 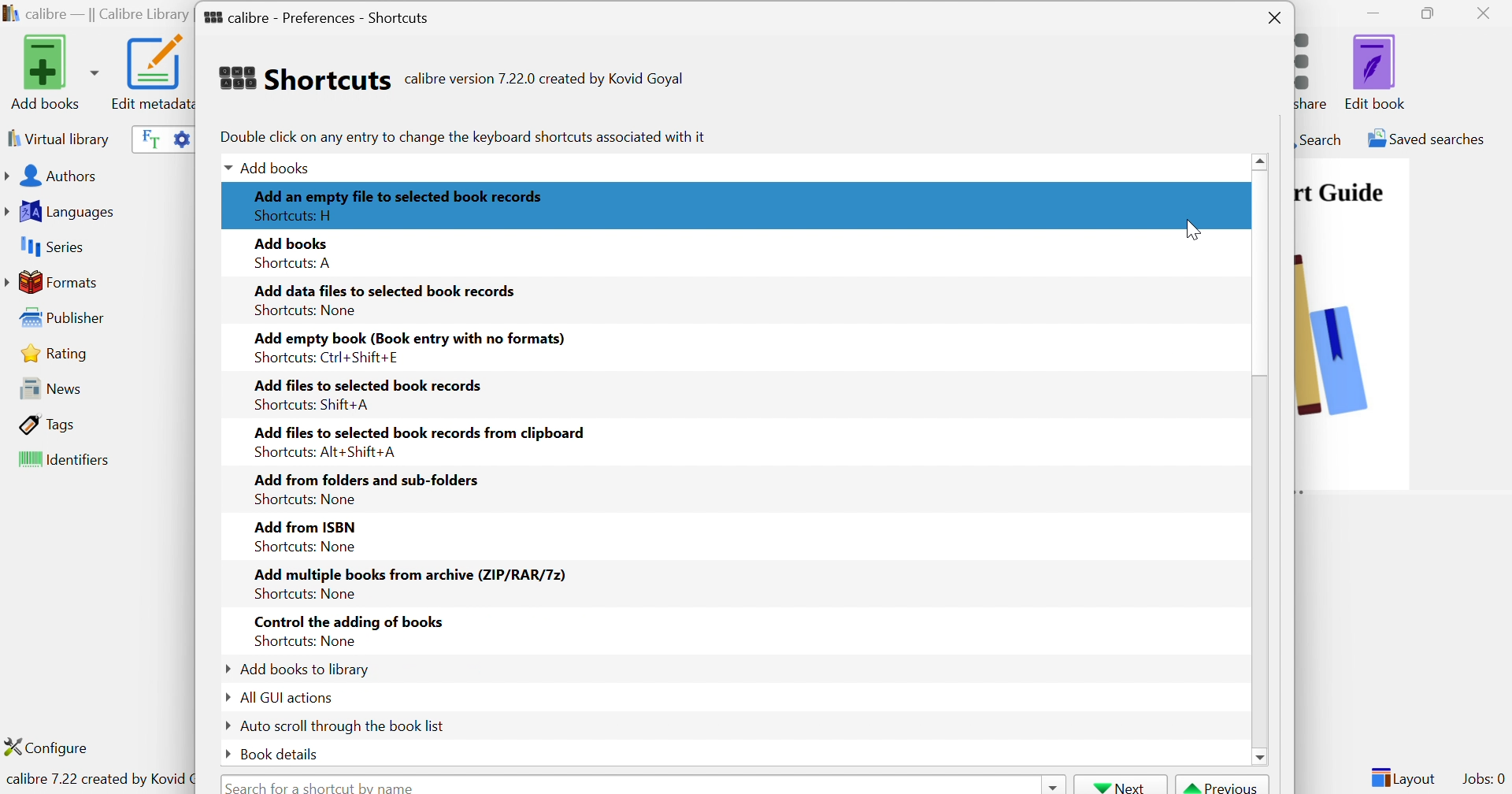 I want to click on All GUI actions, so click(x=287, y=698).